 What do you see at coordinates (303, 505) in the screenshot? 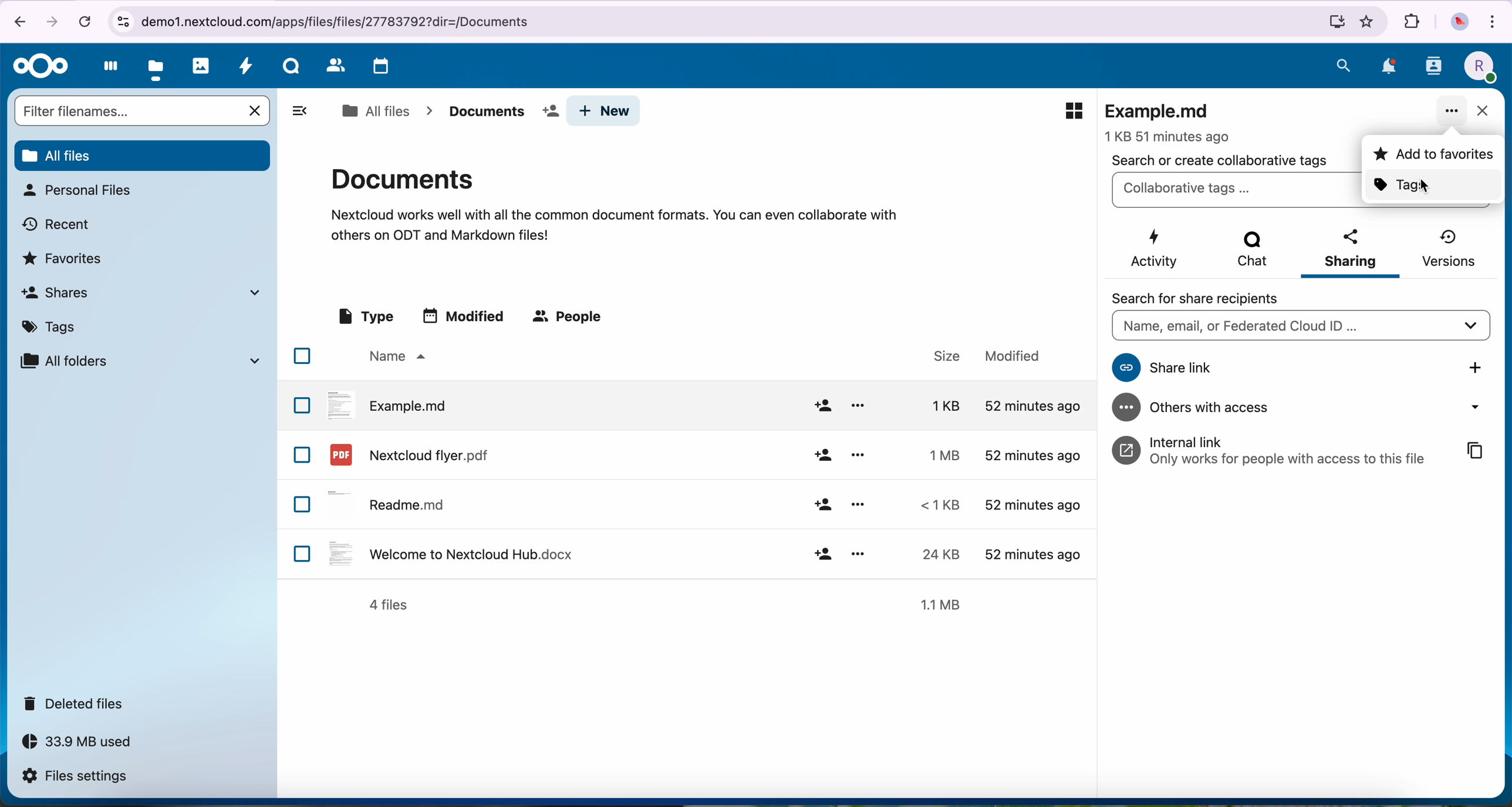
I see `checkbox` at bounding box center [303, 505].